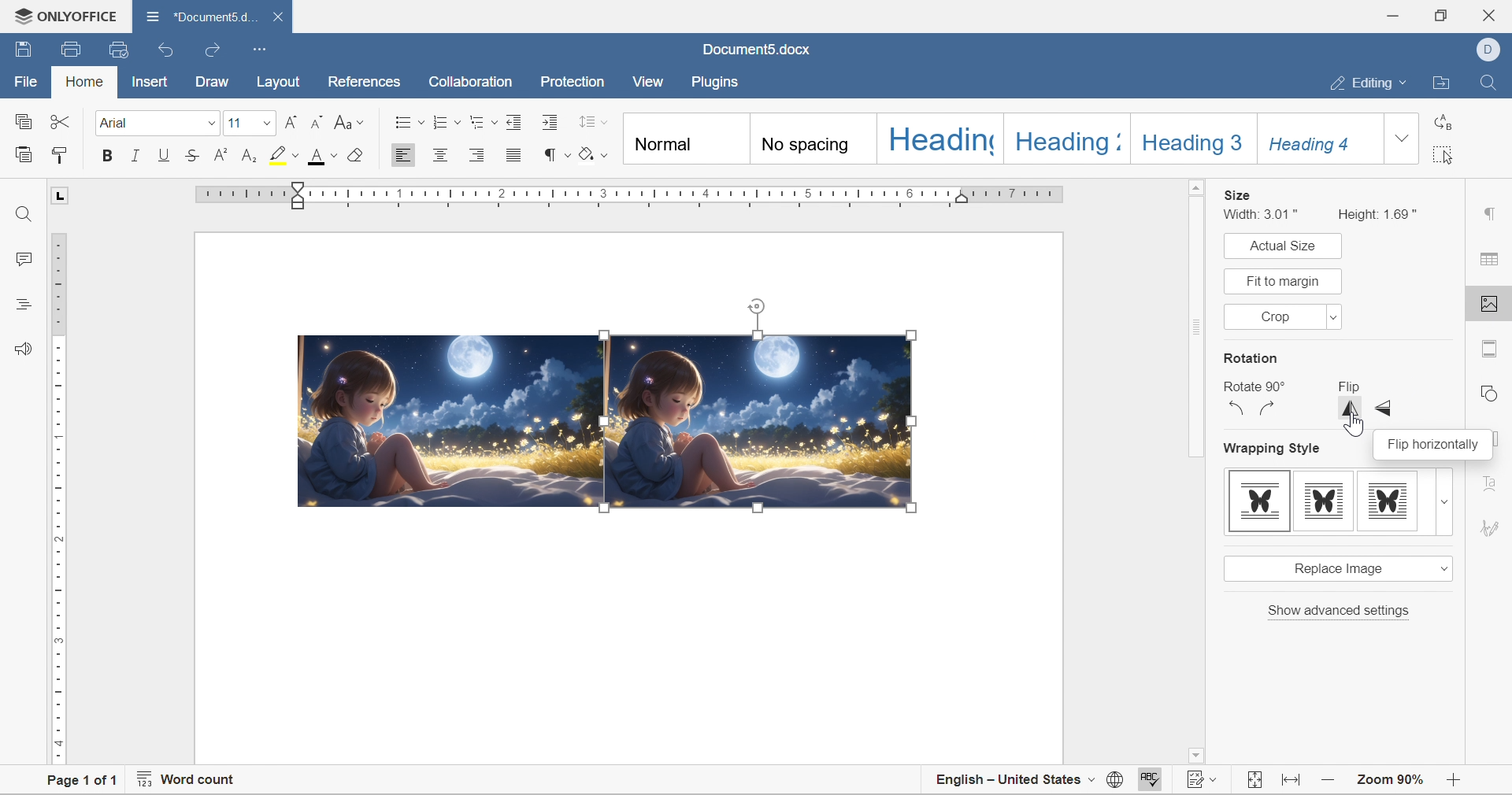 The height and width of the screenshot is (795, 1512). I want to click on cut, so click(61, 120).